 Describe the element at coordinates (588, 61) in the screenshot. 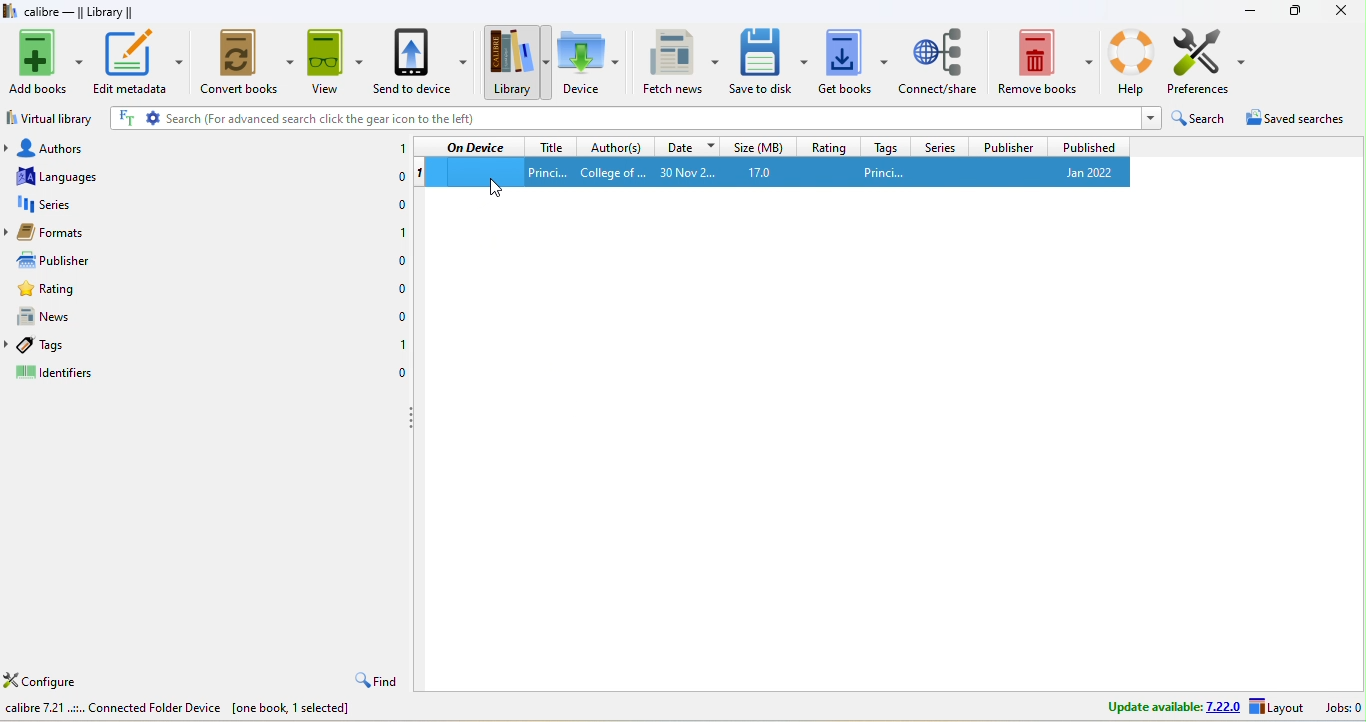

I see `device` at that location.